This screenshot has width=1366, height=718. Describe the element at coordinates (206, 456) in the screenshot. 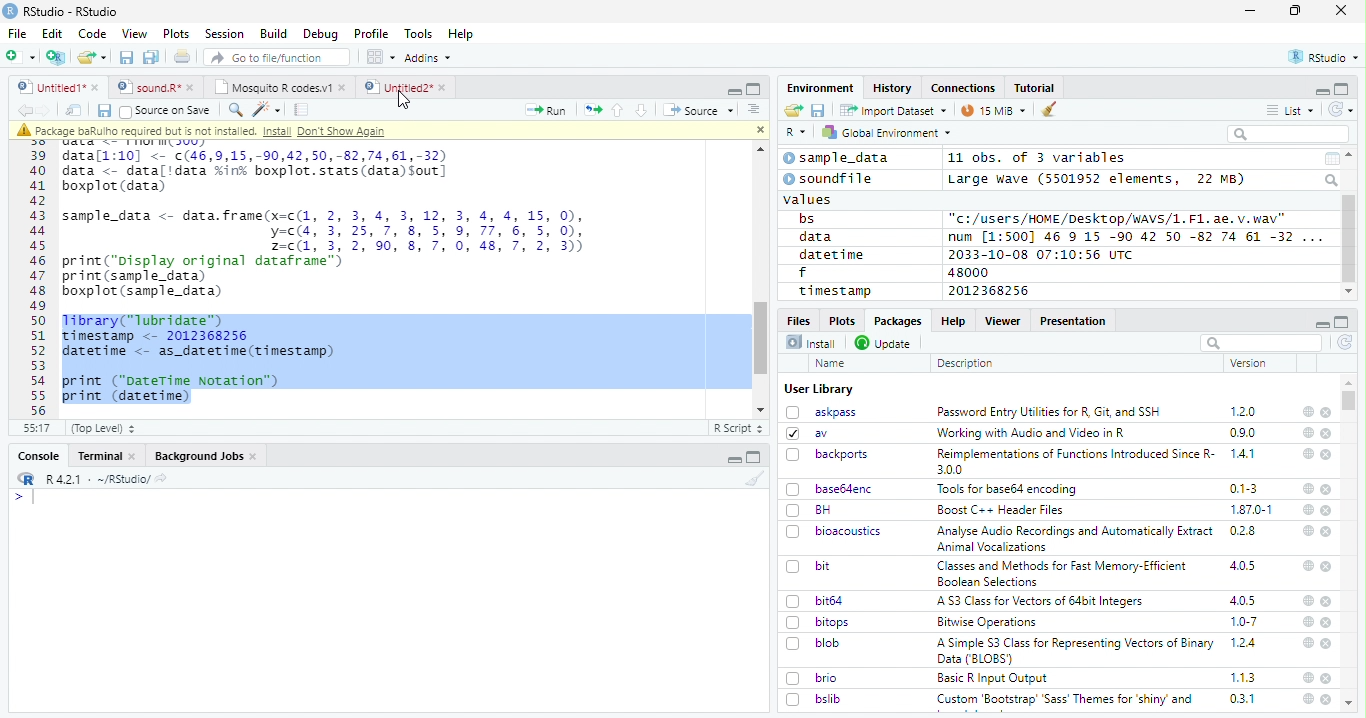

I see `Background Jobs` at that location.